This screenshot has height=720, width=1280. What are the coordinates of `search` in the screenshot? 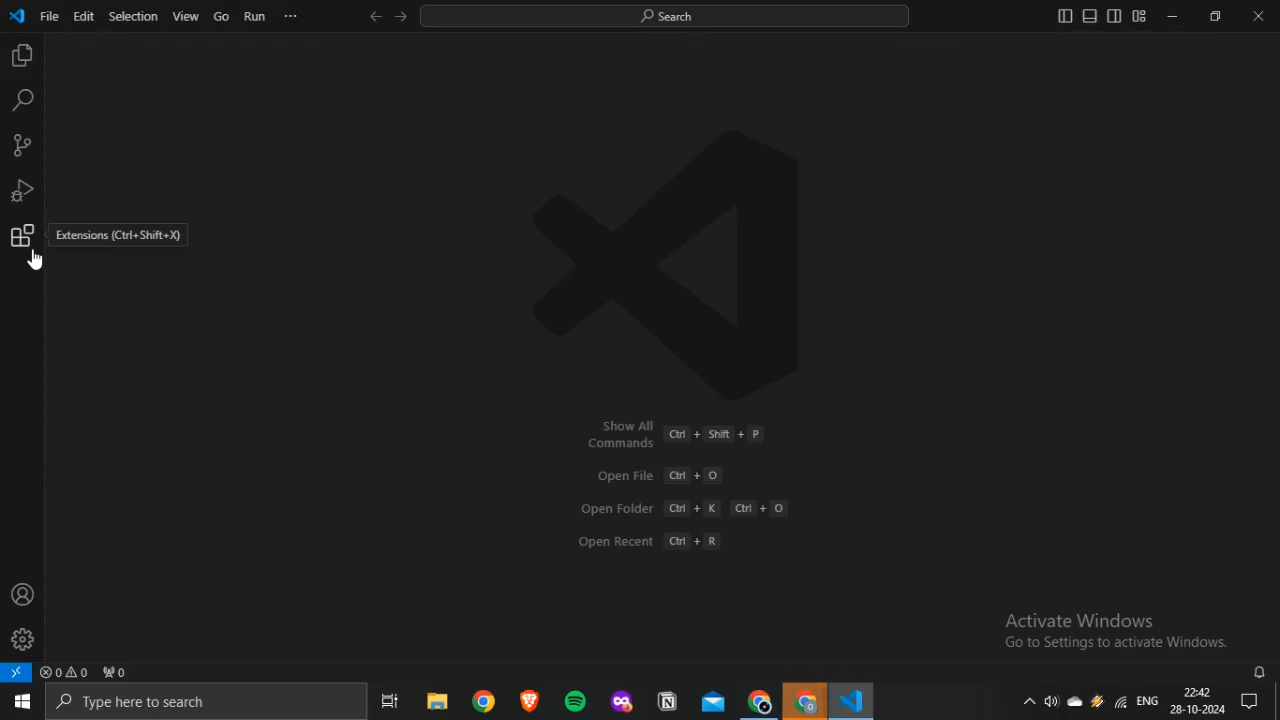 It's located at (664, 16).